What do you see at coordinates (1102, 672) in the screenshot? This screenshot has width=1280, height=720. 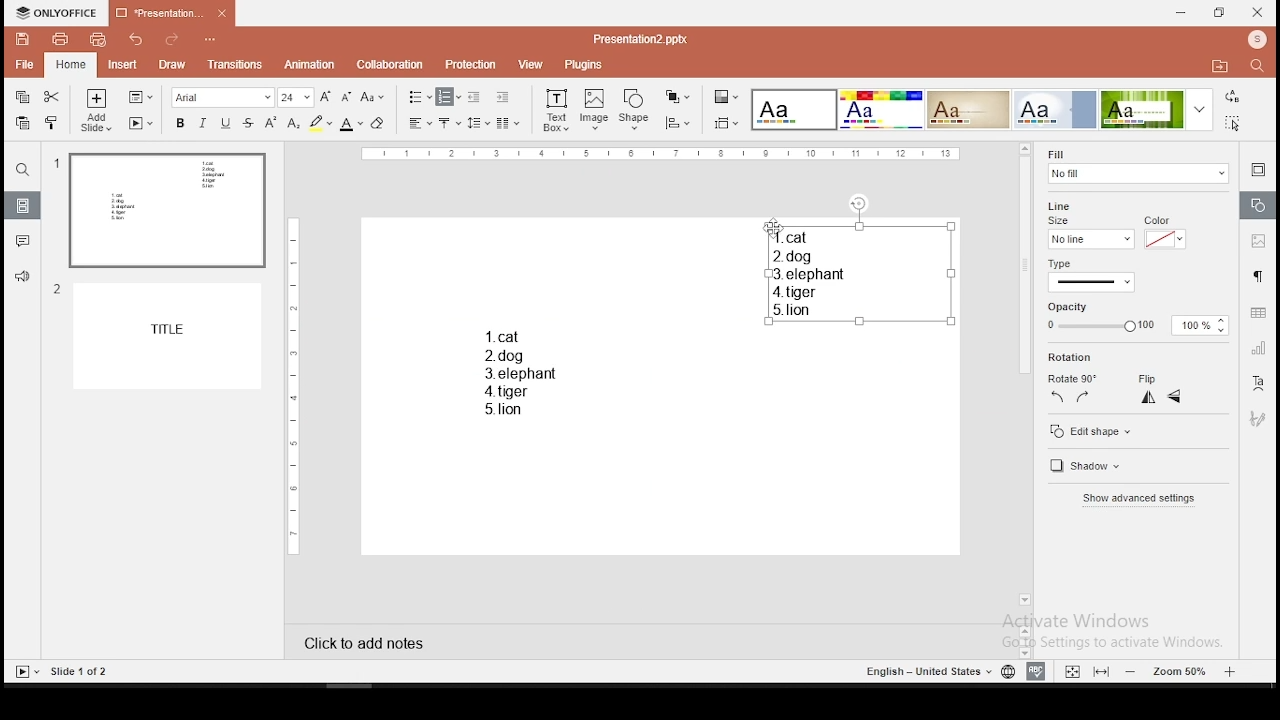 I see `fit to width` at bounding box center [1102, 672].